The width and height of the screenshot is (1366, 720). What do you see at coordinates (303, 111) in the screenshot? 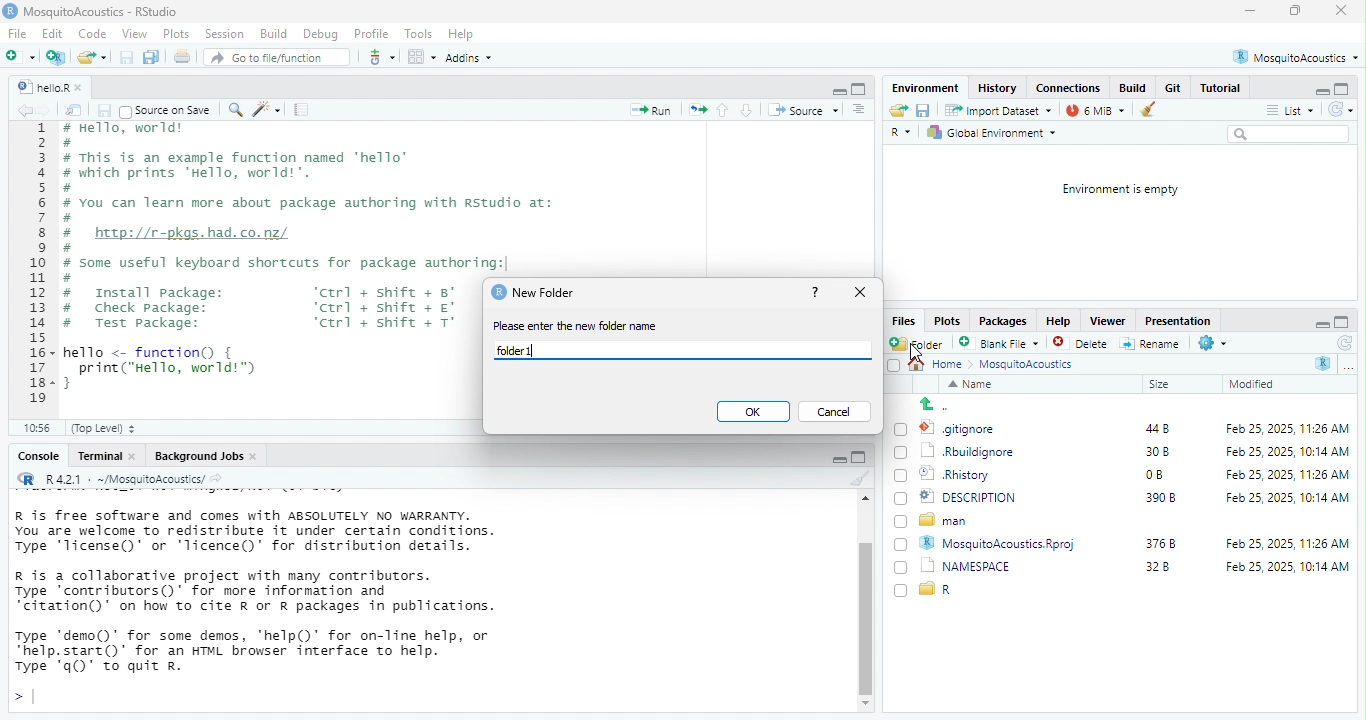
I see `compile report` at bounding box center [303, 111].